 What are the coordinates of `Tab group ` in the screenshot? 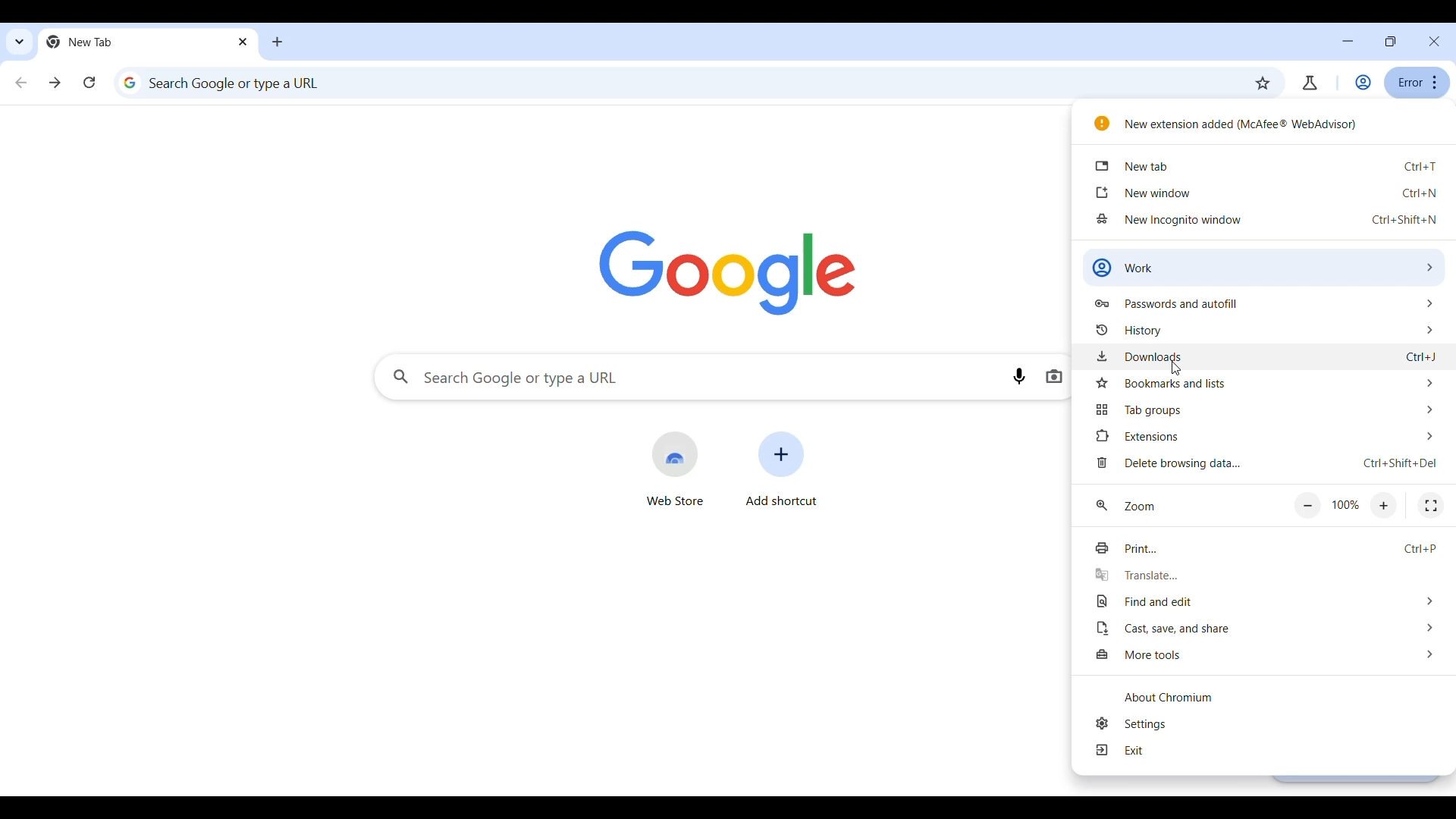 It's located at (1266, 409).